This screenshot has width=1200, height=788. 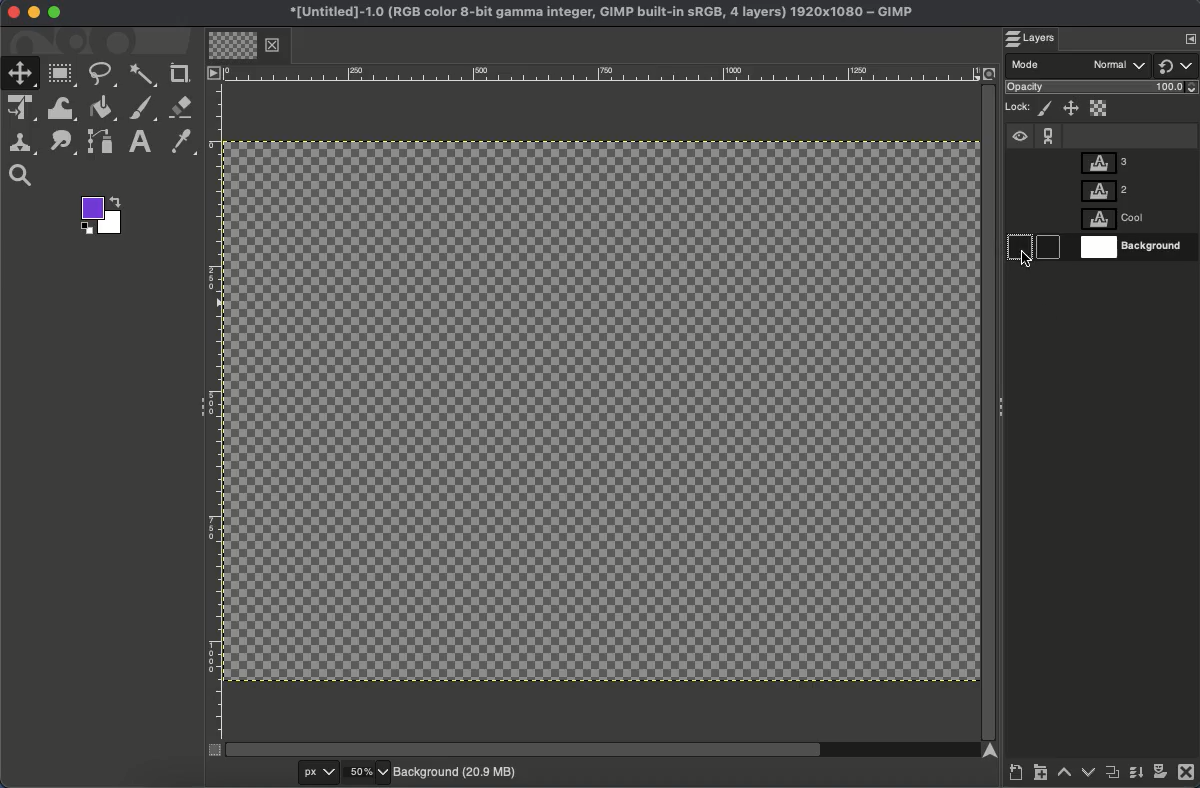 I want to click on Unified transformation, so click(x=24, y=109).